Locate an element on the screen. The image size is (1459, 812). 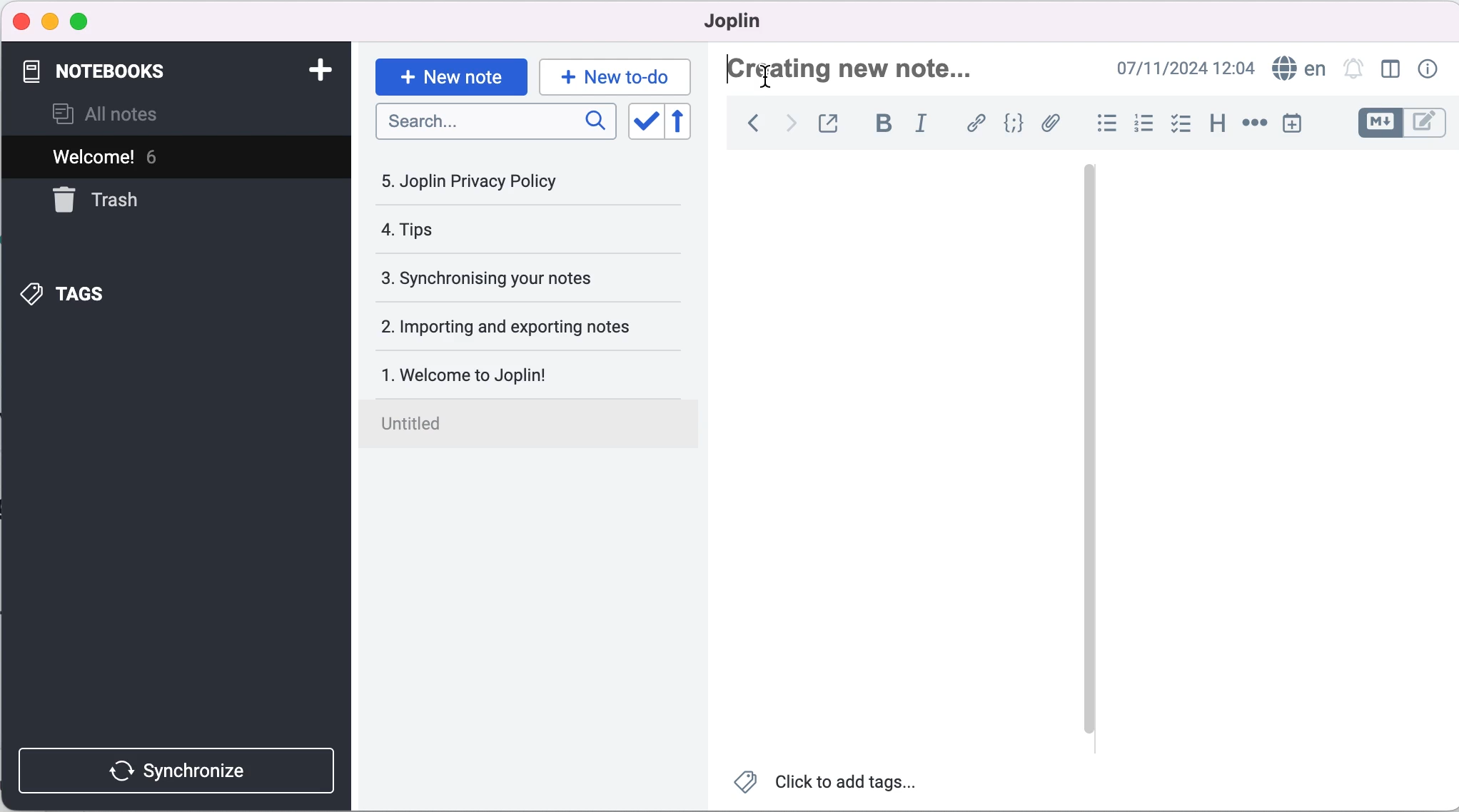
tags is located at coordinates (142, 294).